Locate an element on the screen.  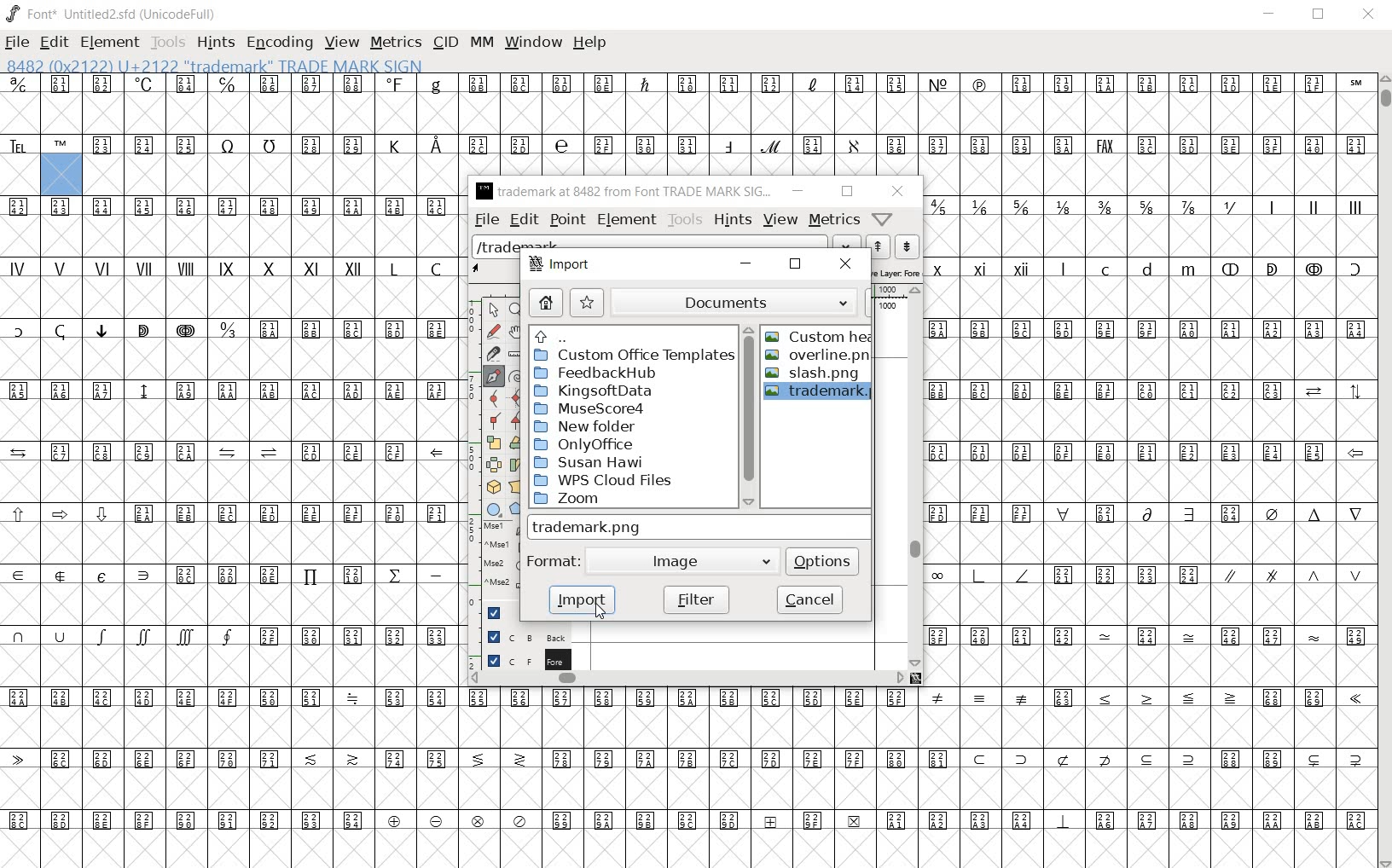
special characters is located at coordinates (123, 349).